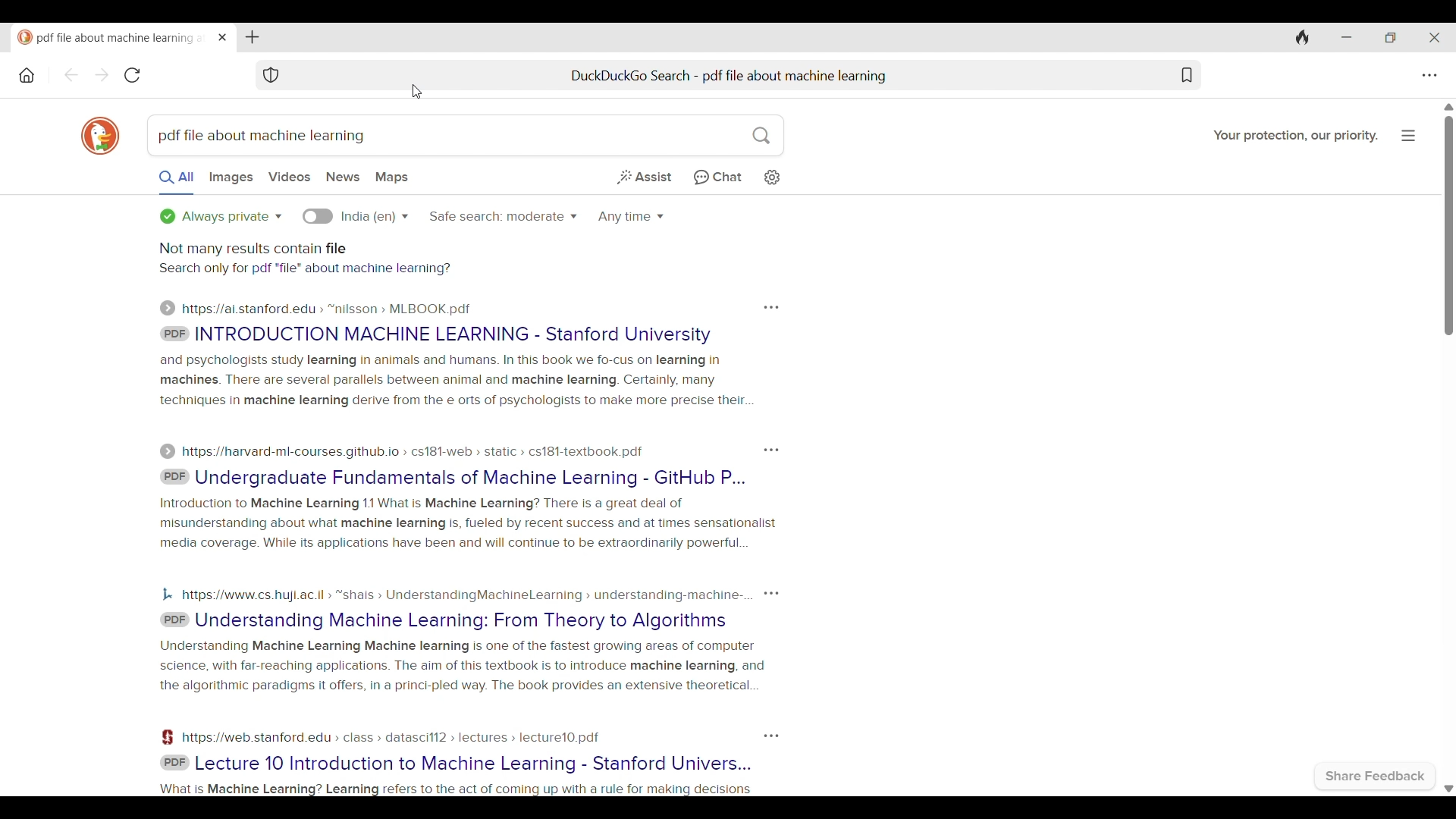 The width and height of the screenshot is (1456, 819). I want to click on Introduction to Machine Learning 11 What is Machine Learning? There is a great deal of
misunderstanding about what machine learning is, fueled by recent success and at times sensationalist
media coverage. While its applications have been and will continue to be extraordinarily powerful, so click(469, 523).